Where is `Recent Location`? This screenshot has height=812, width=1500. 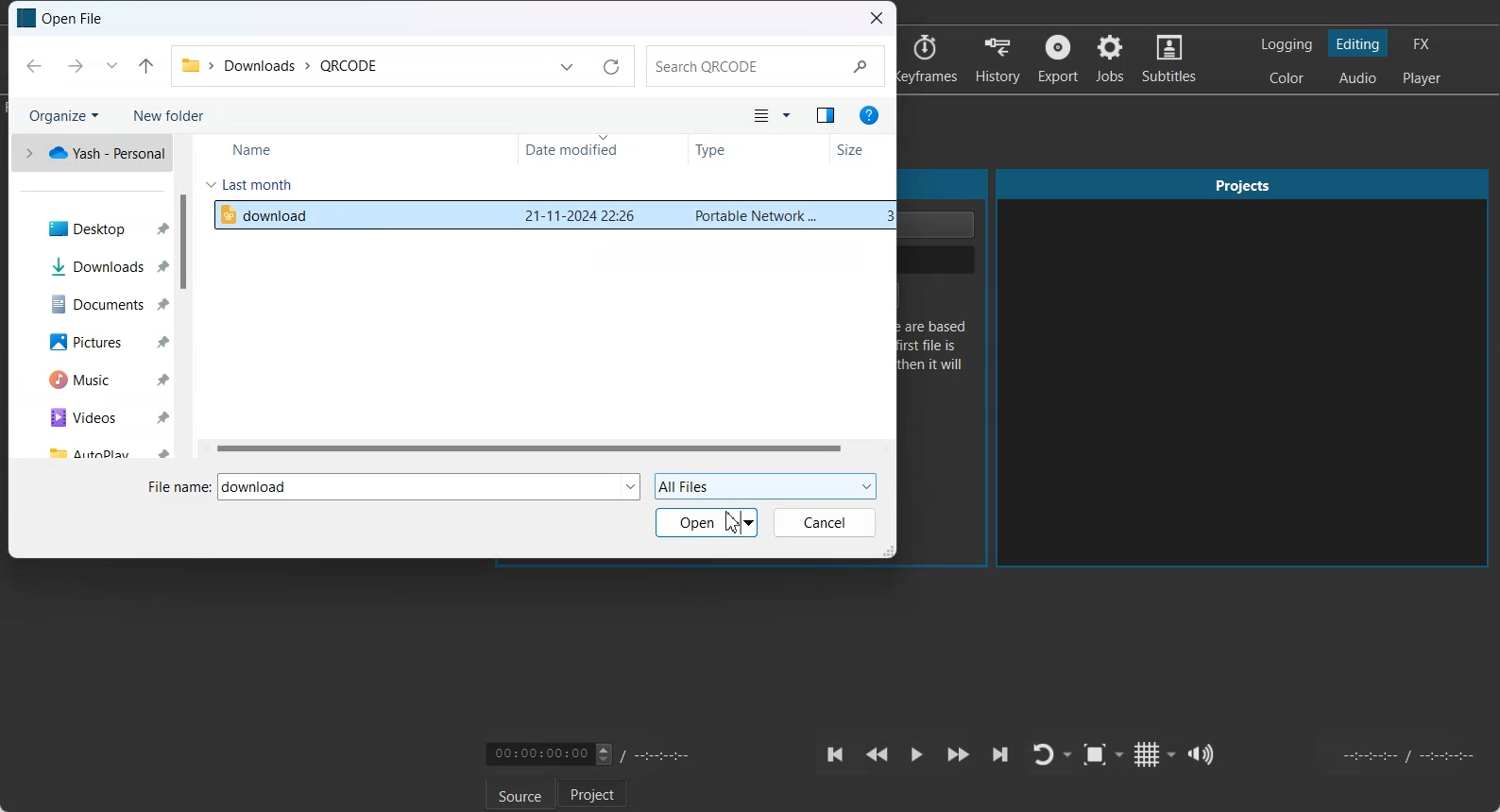
Recent Location is located at coordinates (112, 66).